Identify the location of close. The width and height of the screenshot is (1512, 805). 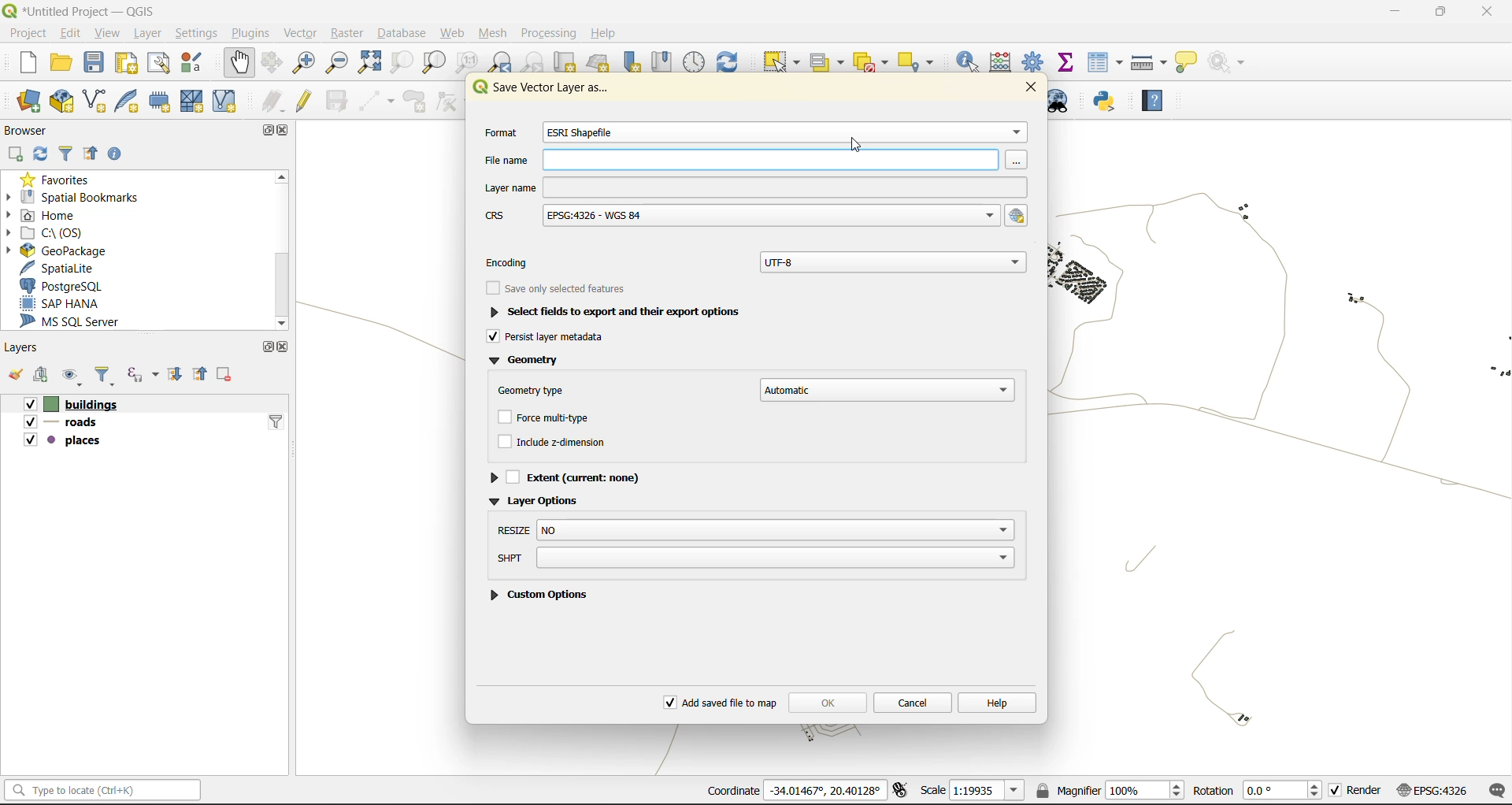
(1027, 87).